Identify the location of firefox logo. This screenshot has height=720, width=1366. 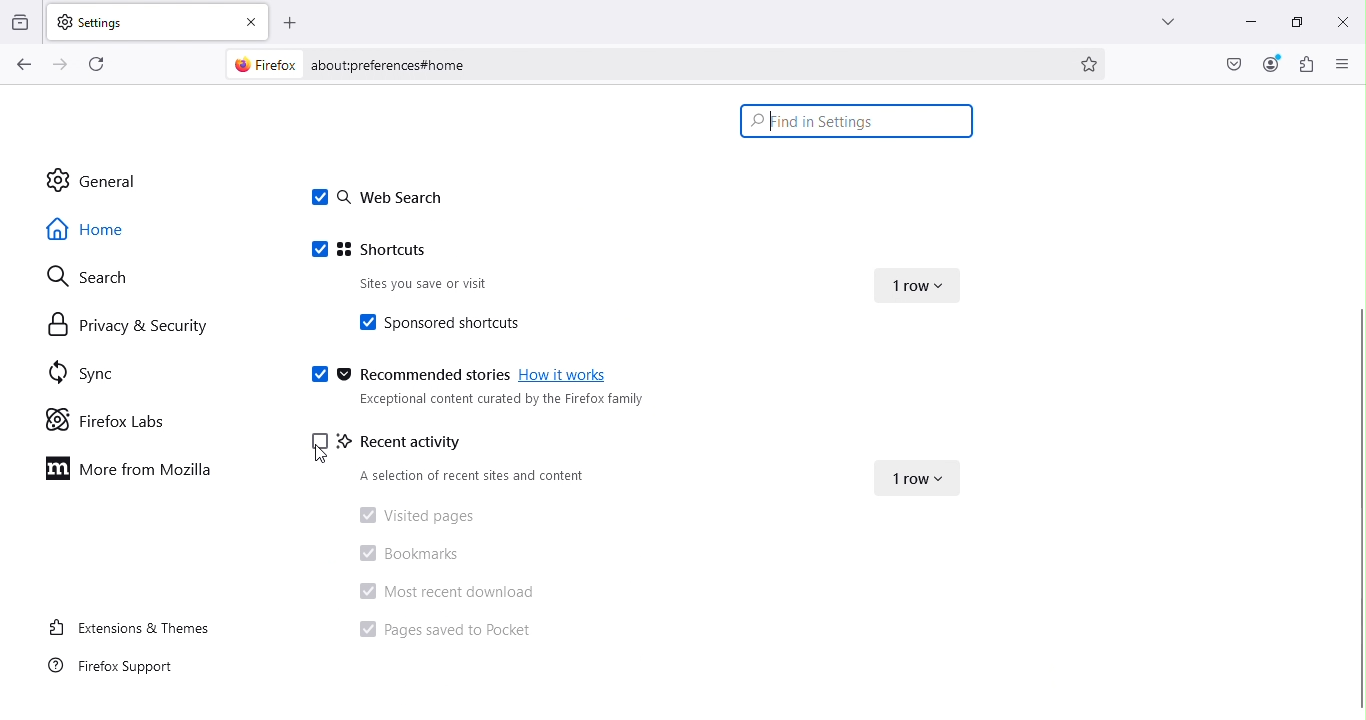
(266, 65).